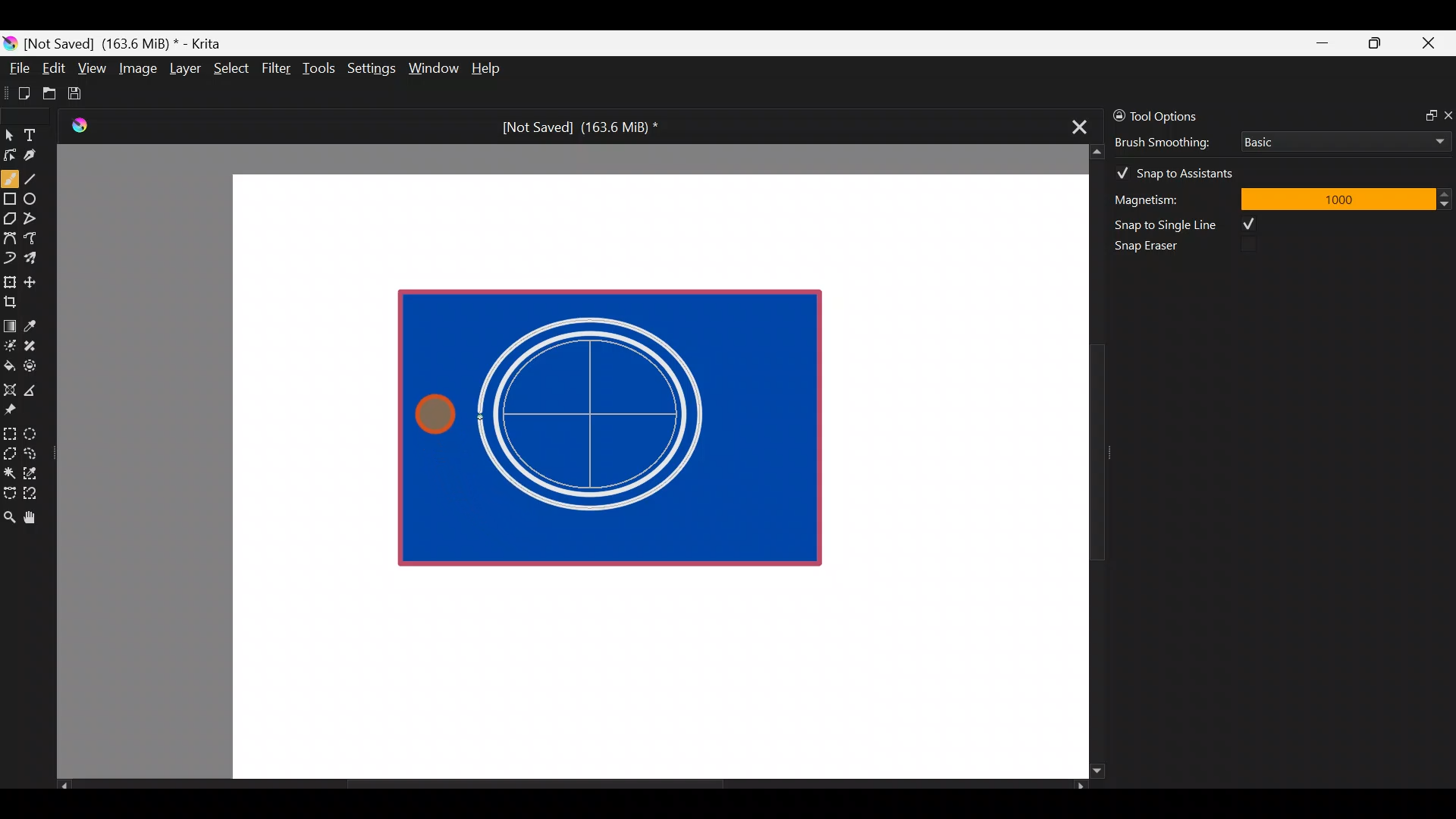 This screenshot has height=819, width=1456. What do you see at coordinates (10, 200) in the screenshot?
I see `Rectangle tool` at bounding box center [10, 200].